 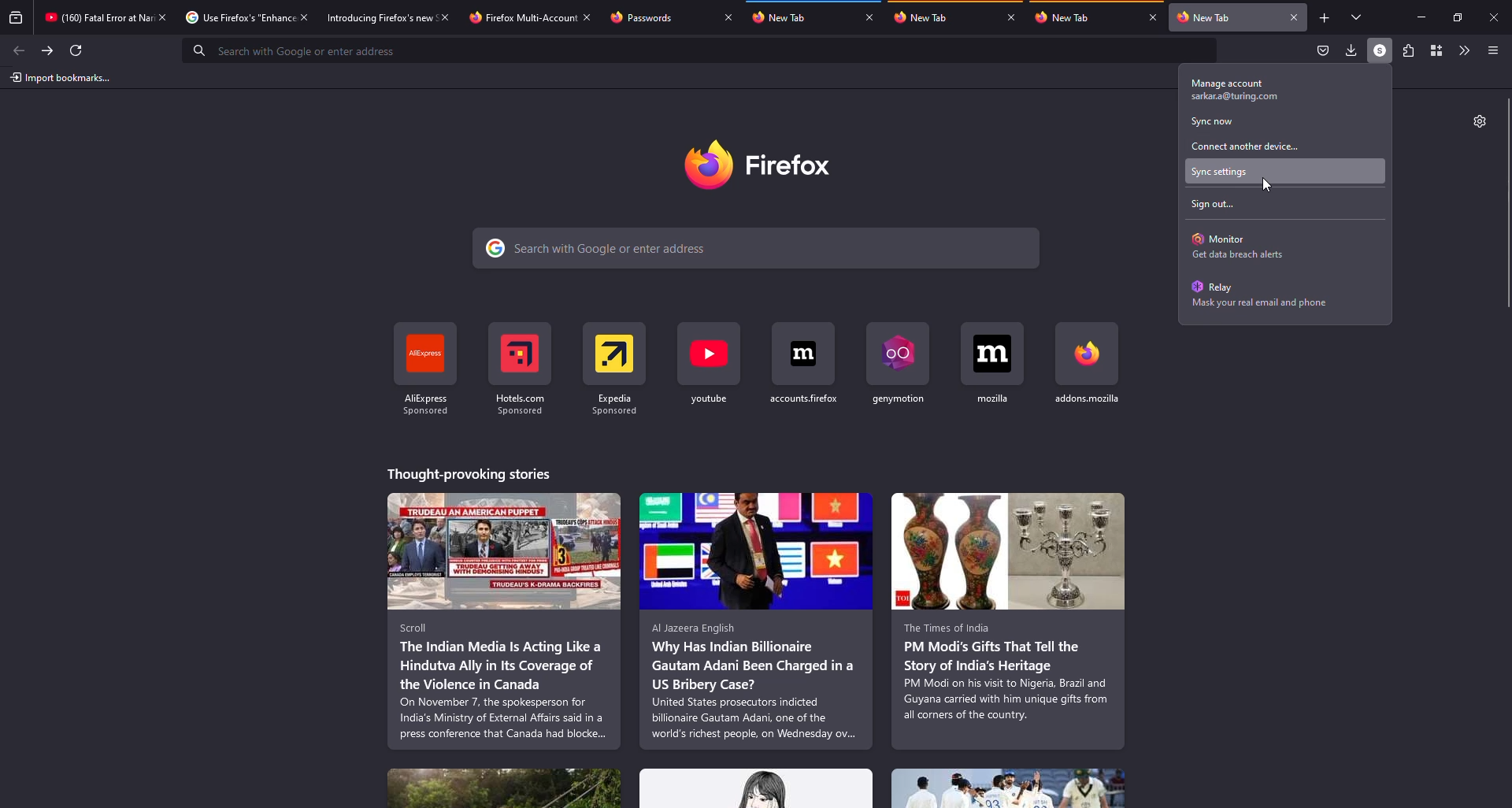 I want to click on tab, so click(x=643, y=18).